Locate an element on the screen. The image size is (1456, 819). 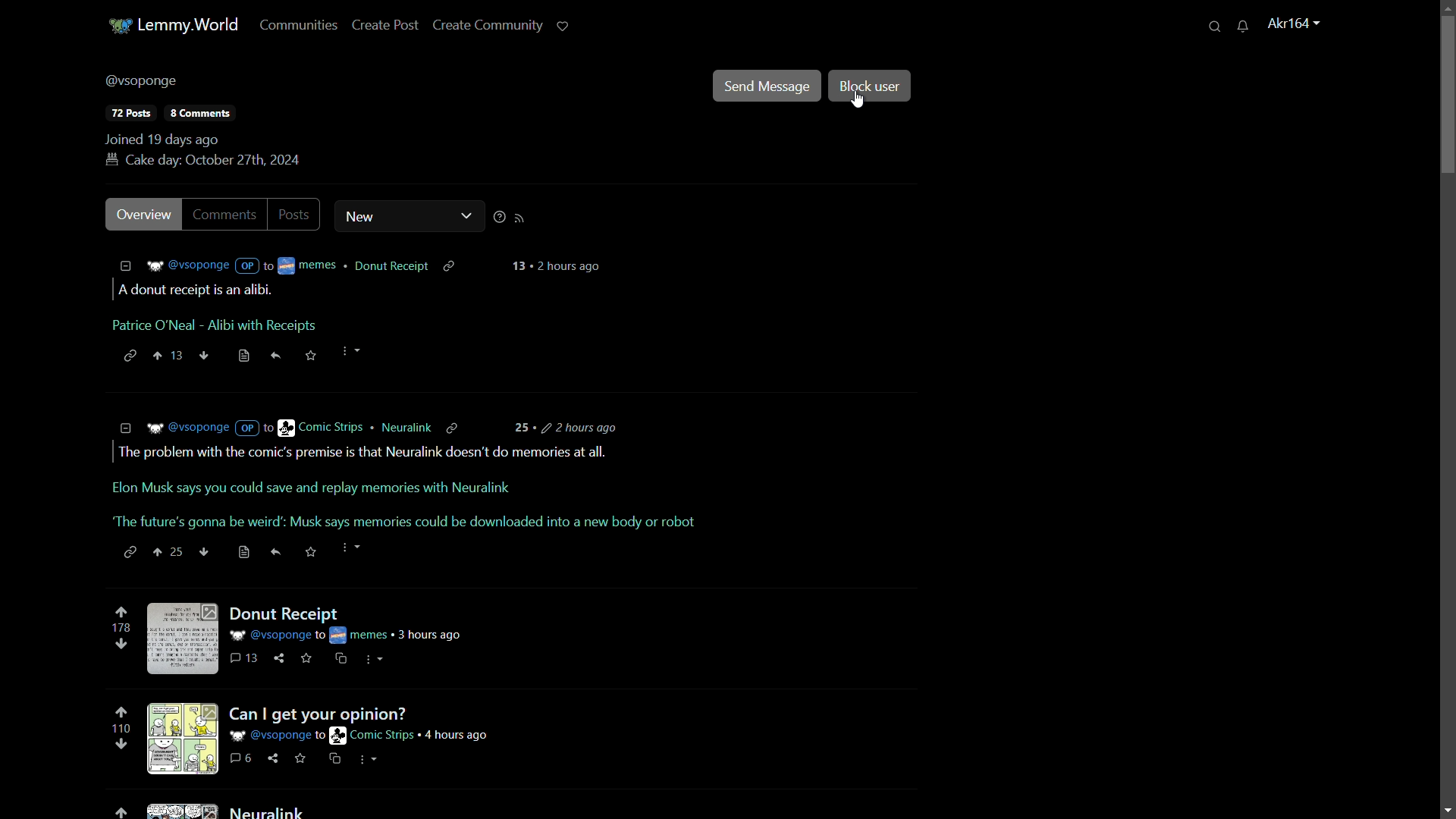
support lemmy.world is located at coordinates (563, 27).